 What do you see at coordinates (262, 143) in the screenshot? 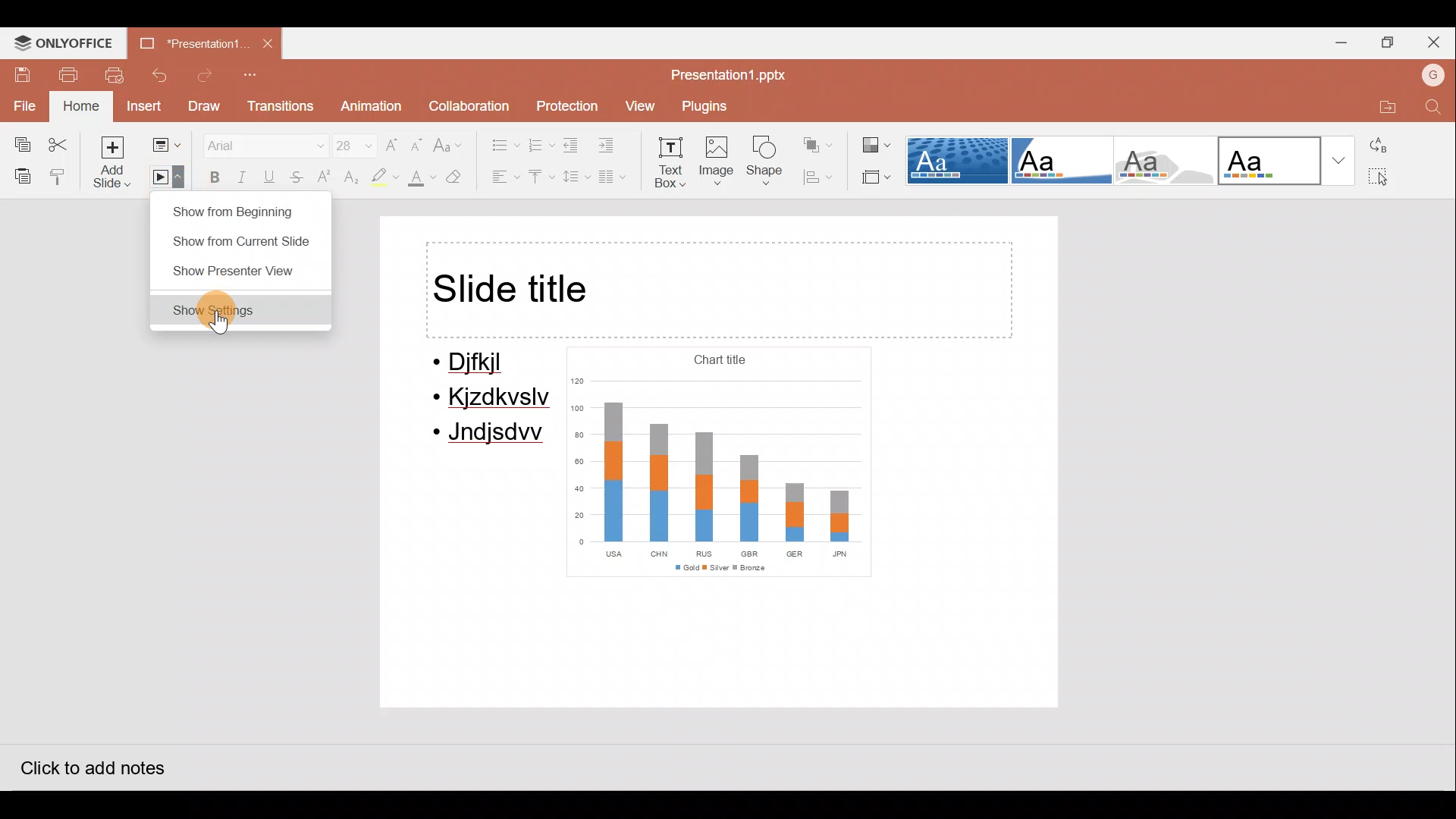
I see `Font name` at bounding box center [262, 143].